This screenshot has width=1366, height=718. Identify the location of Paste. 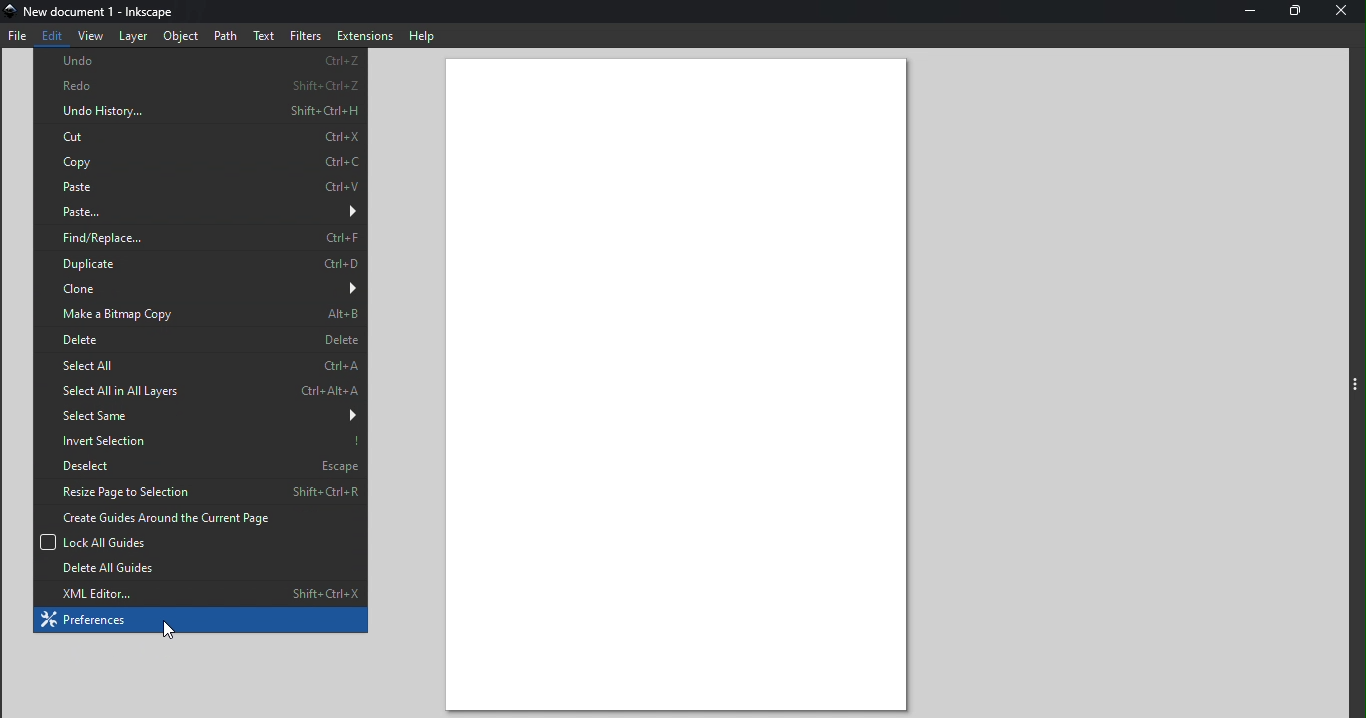
(199, 185).